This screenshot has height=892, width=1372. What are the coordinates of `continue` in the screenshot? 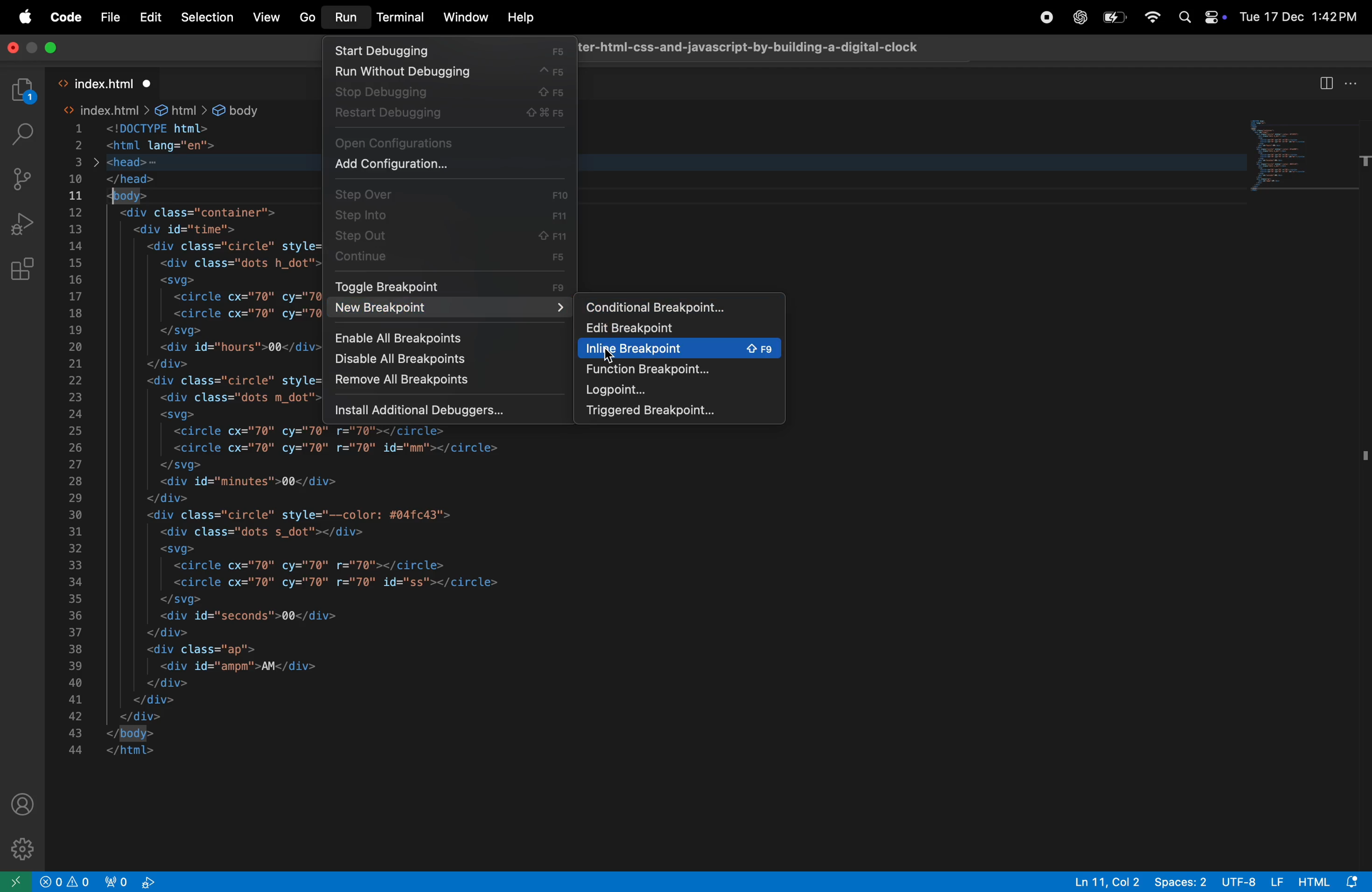 It's located at (450, 257).